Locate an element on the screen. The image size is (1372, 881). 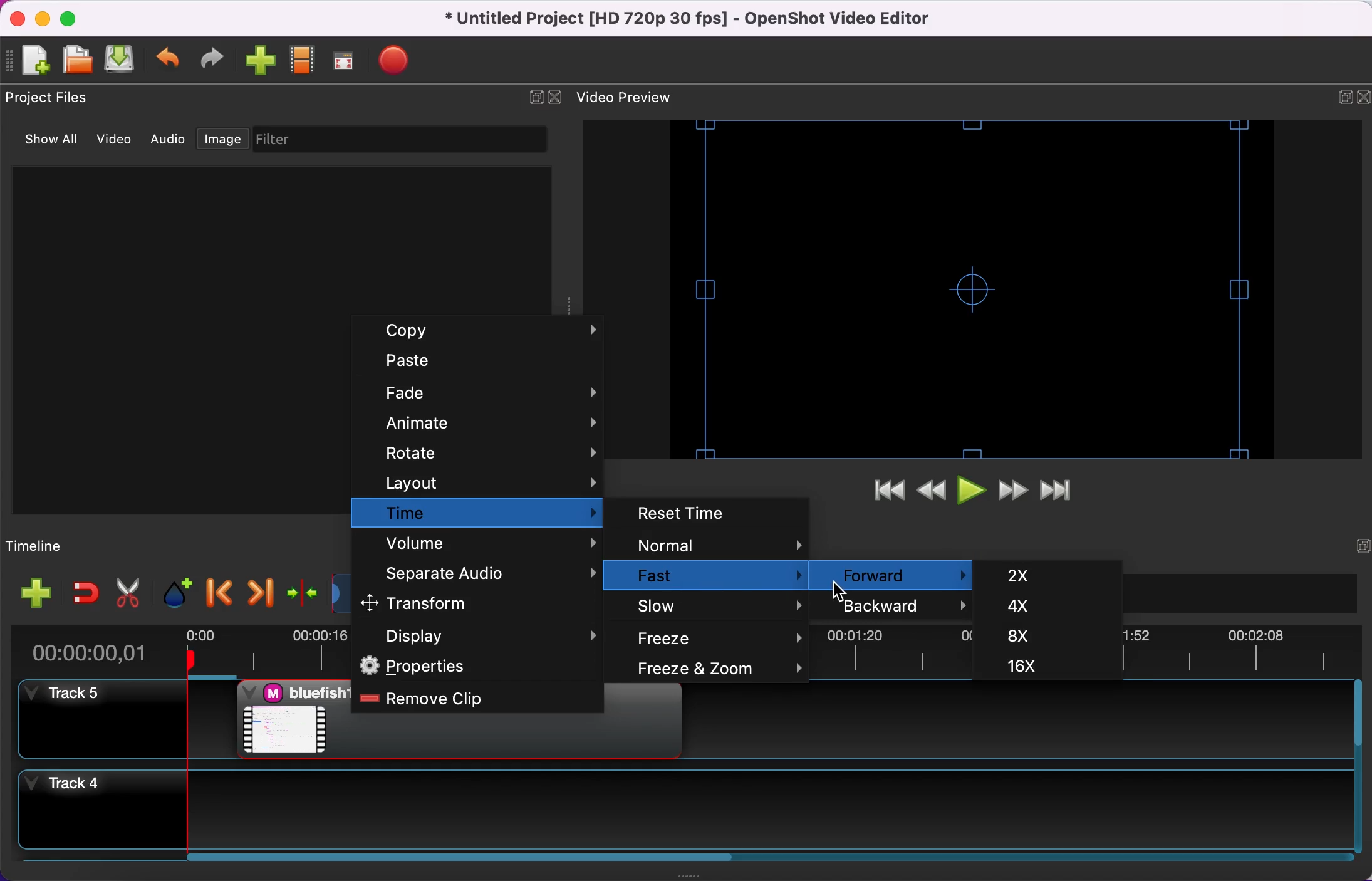
maximize is located at coordinates (75, 18).